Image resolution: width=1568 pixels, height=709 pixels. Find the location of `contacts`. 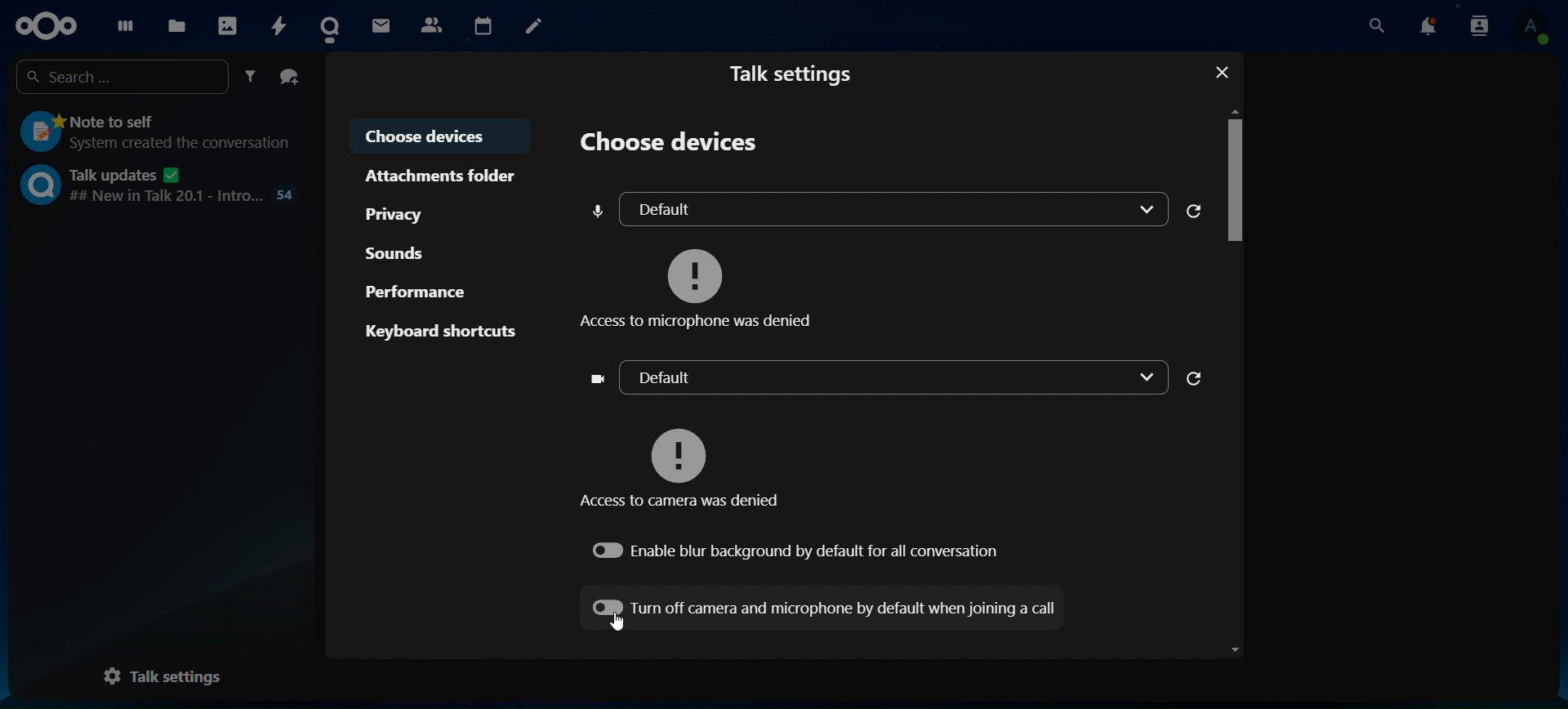

contacts is located at coordinates (432, 24).